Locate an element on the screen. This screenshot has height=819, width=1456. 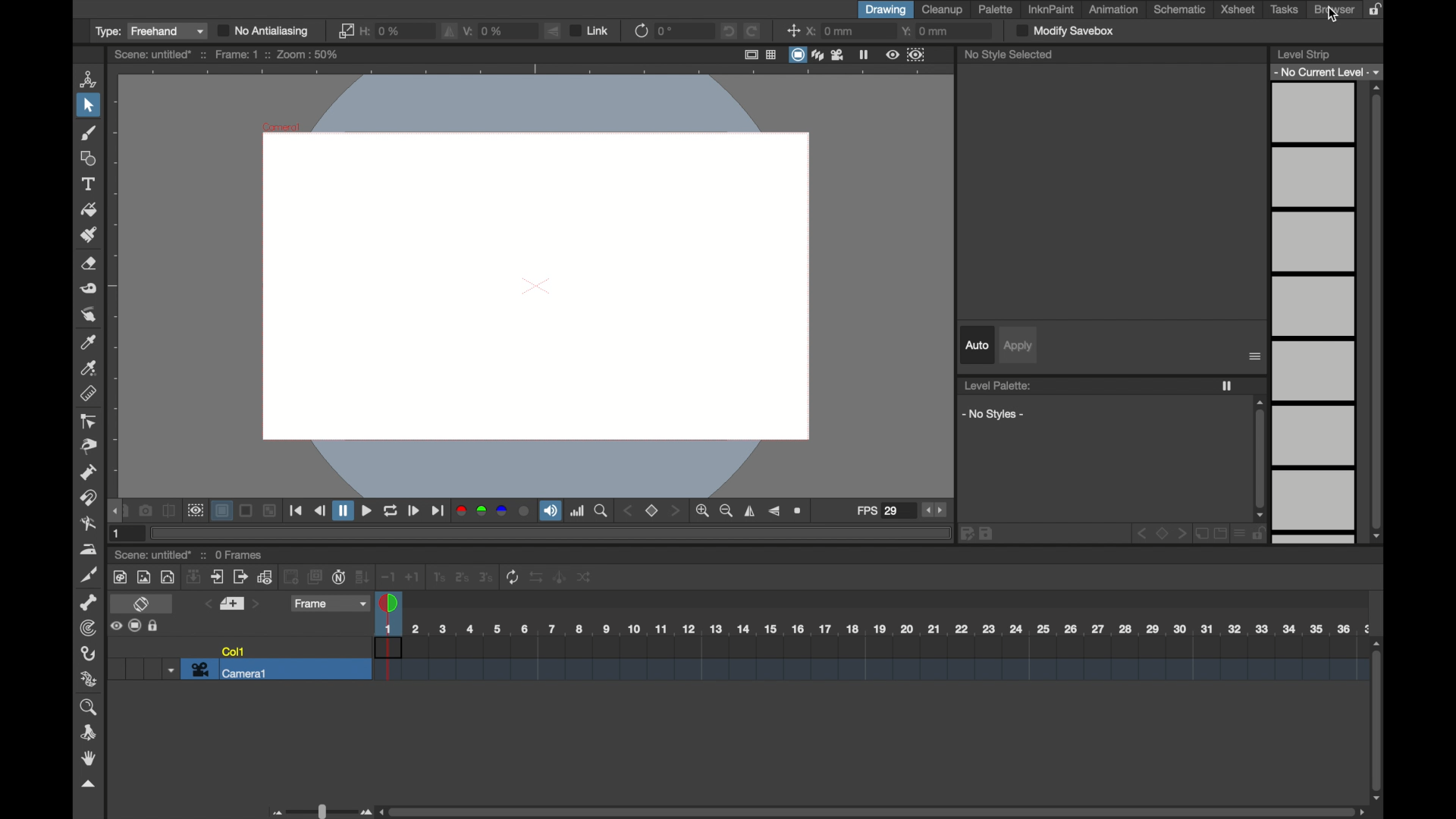
preview is located at coordinates (197, 510).